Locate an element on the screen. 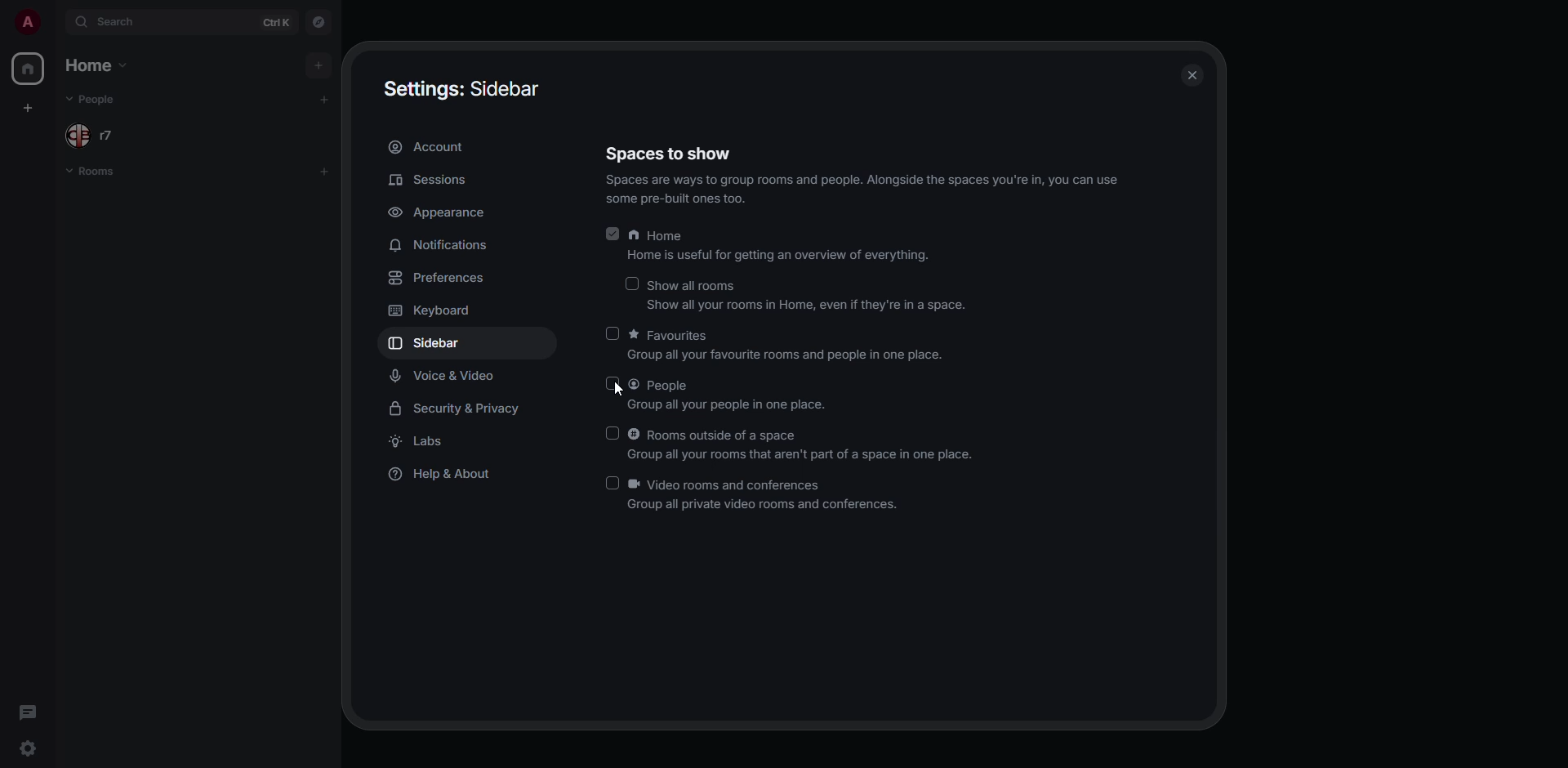 The width and height of the screenshot is (1568, 768). click to enable is located at coordinates (633, 282).